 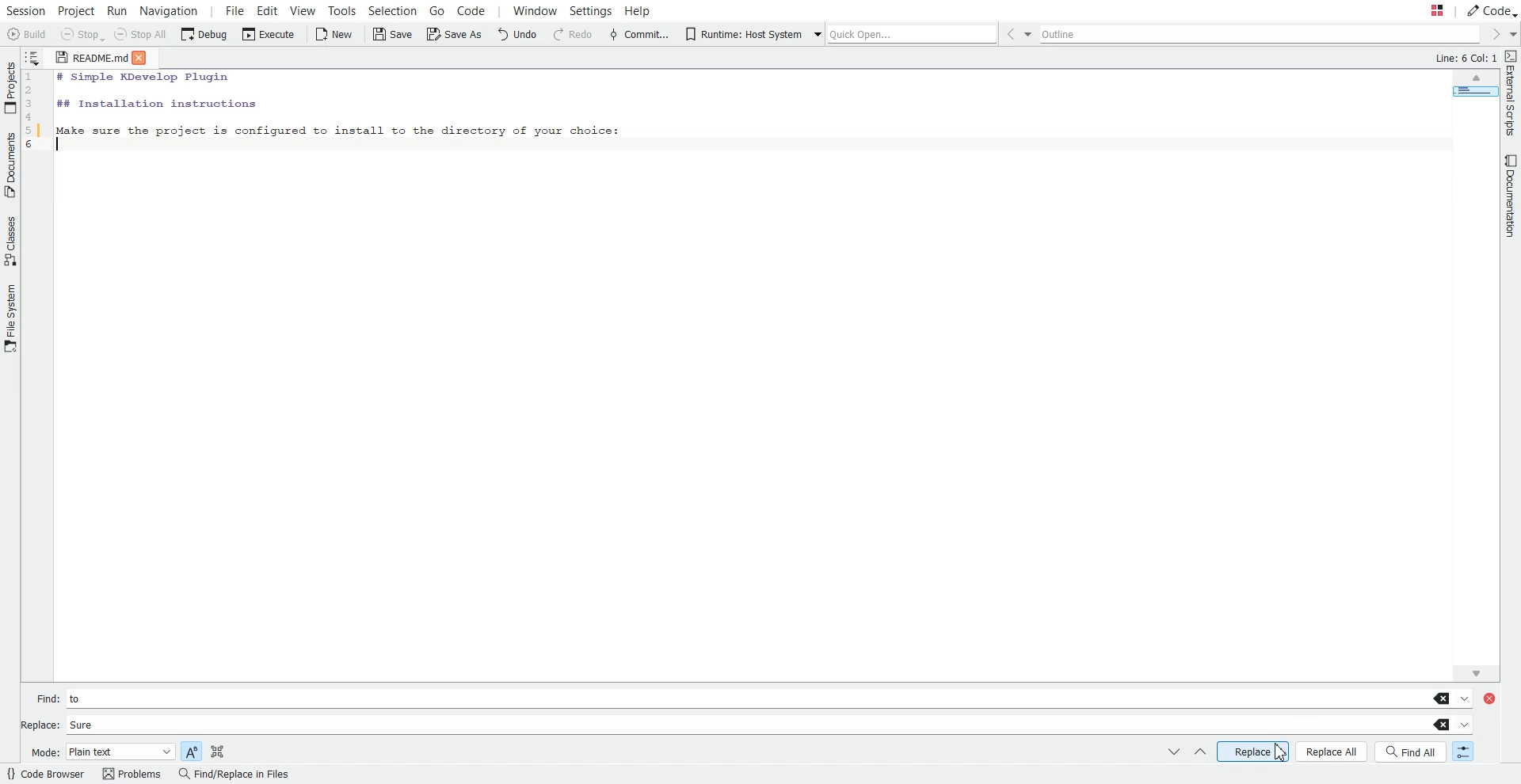 What do you see at coordinates (453, 36) in the screenshot?
I see `Save as` at bounding box center [453, 36].